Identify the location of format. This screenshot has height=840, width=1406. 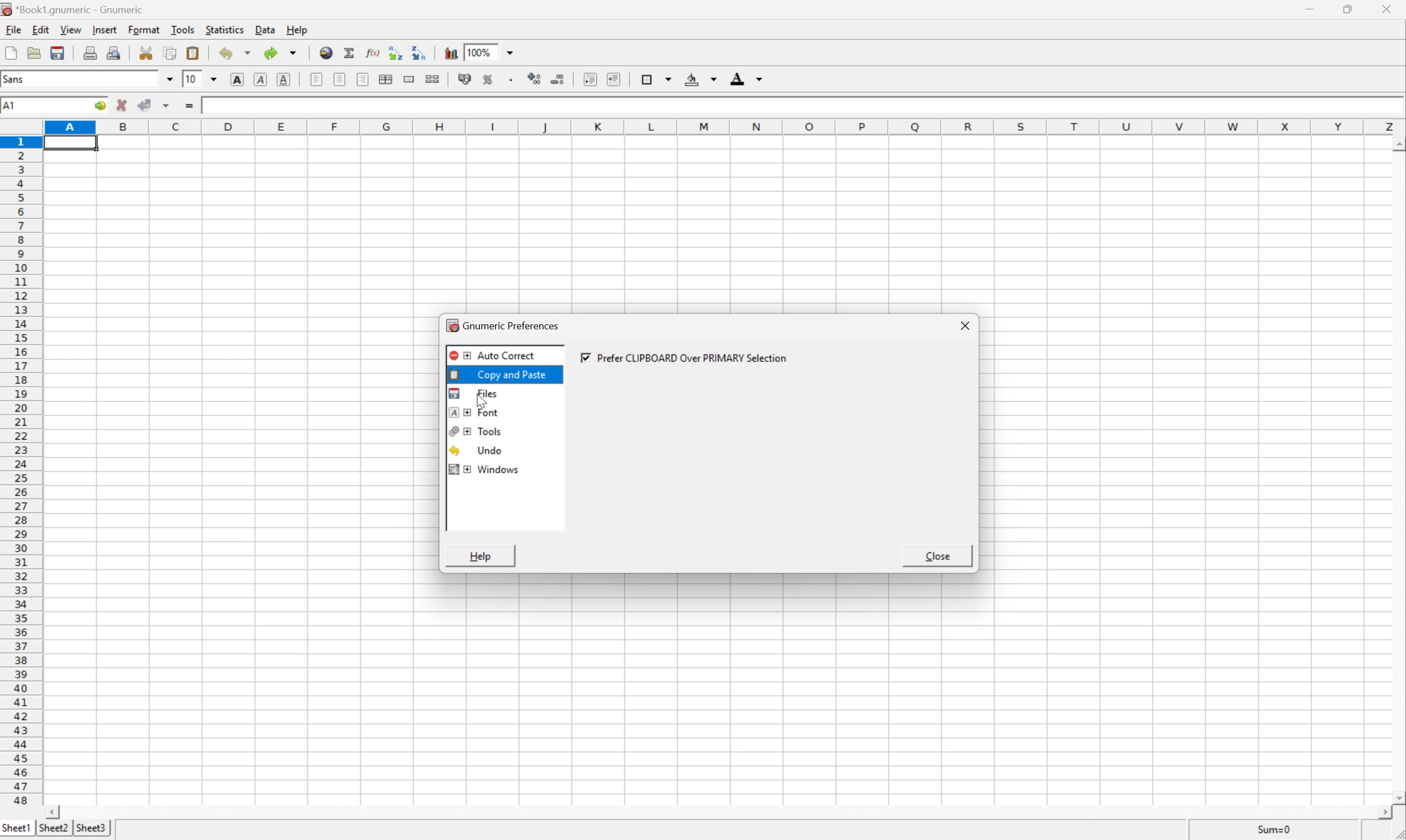
(143, 30).